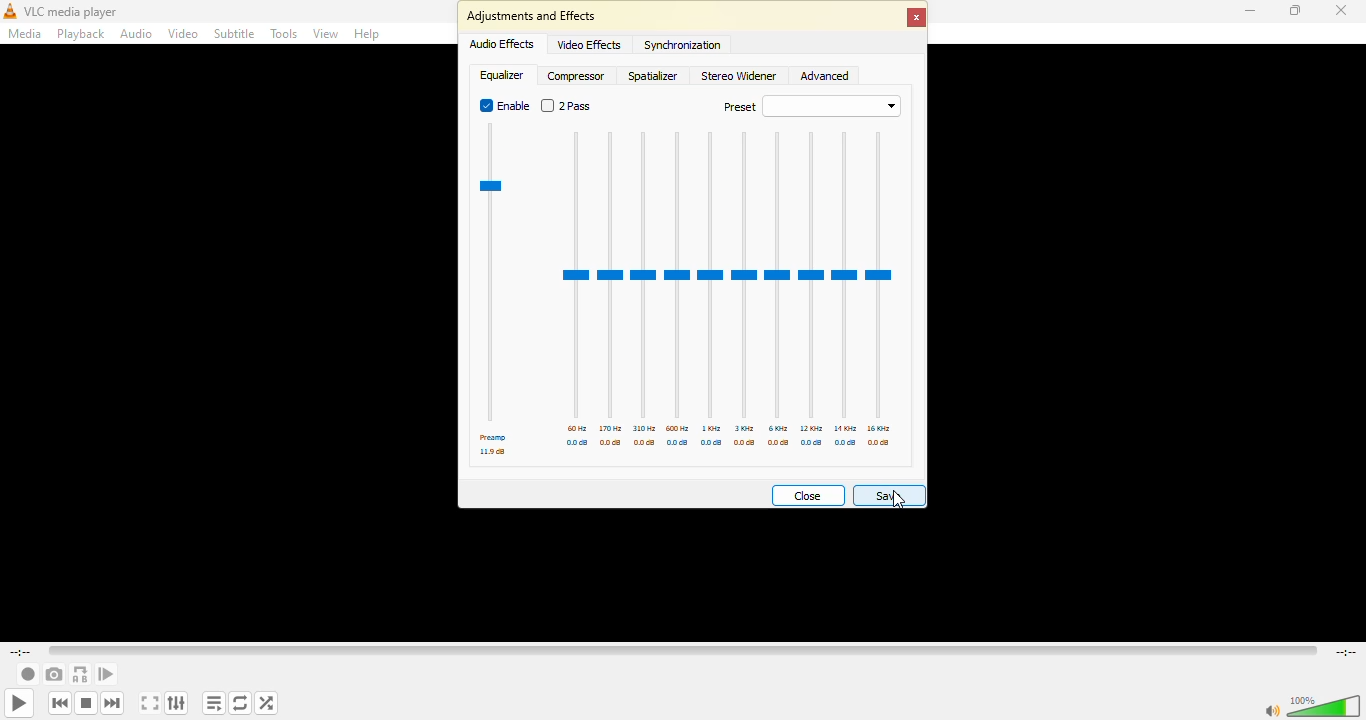  Describe the element at coordinates (845, 273) in the screenshot. I see `adjustor` at that location.